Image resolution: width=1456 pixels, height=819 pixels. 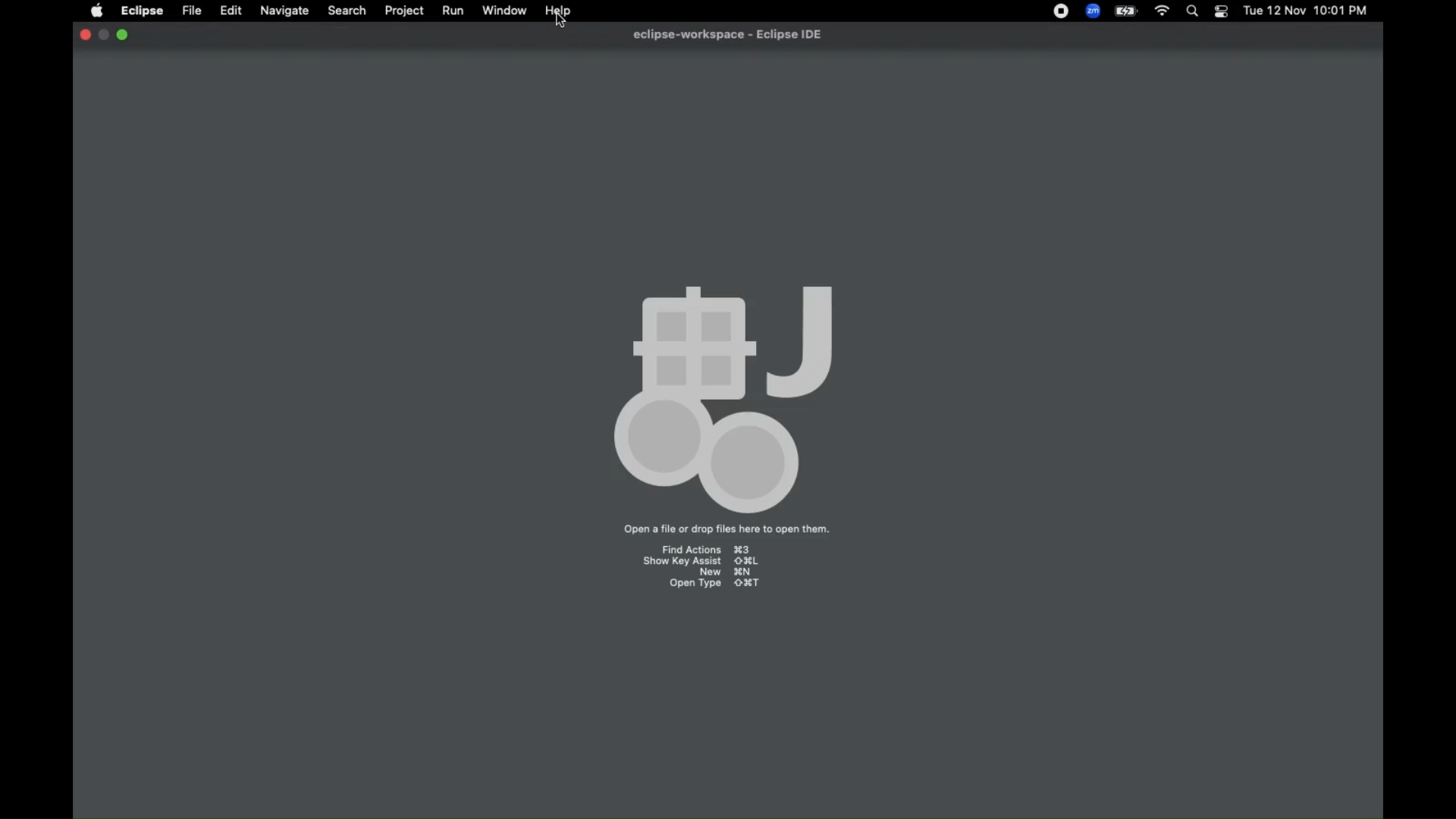 I want to click on Navigate, so click(x=284, y=11).